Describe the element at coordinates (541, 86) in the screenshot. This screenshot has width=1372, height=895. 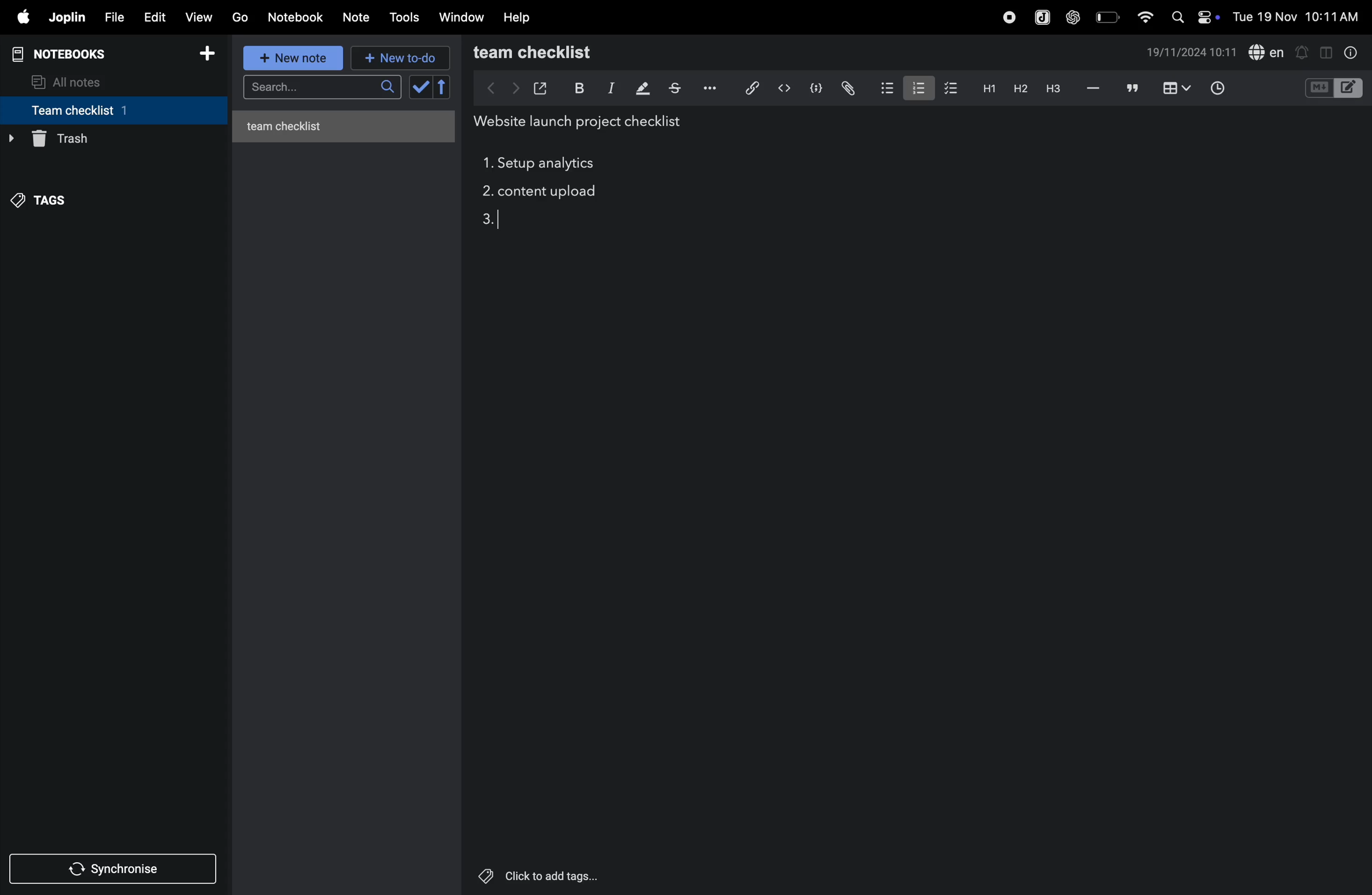
I see `open window` at that location.